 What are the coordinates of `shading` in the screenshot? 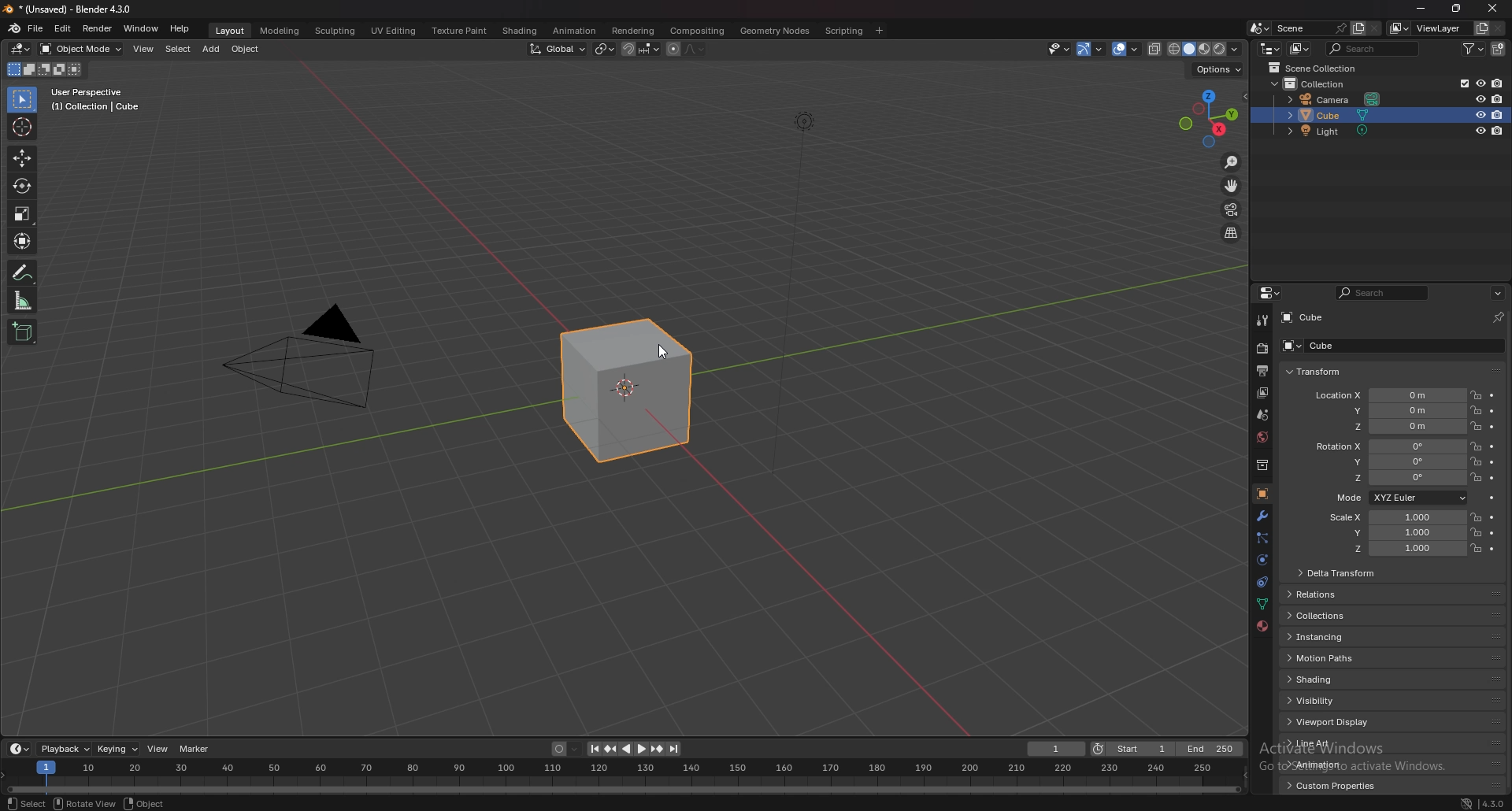 It's located at (1323, 680).